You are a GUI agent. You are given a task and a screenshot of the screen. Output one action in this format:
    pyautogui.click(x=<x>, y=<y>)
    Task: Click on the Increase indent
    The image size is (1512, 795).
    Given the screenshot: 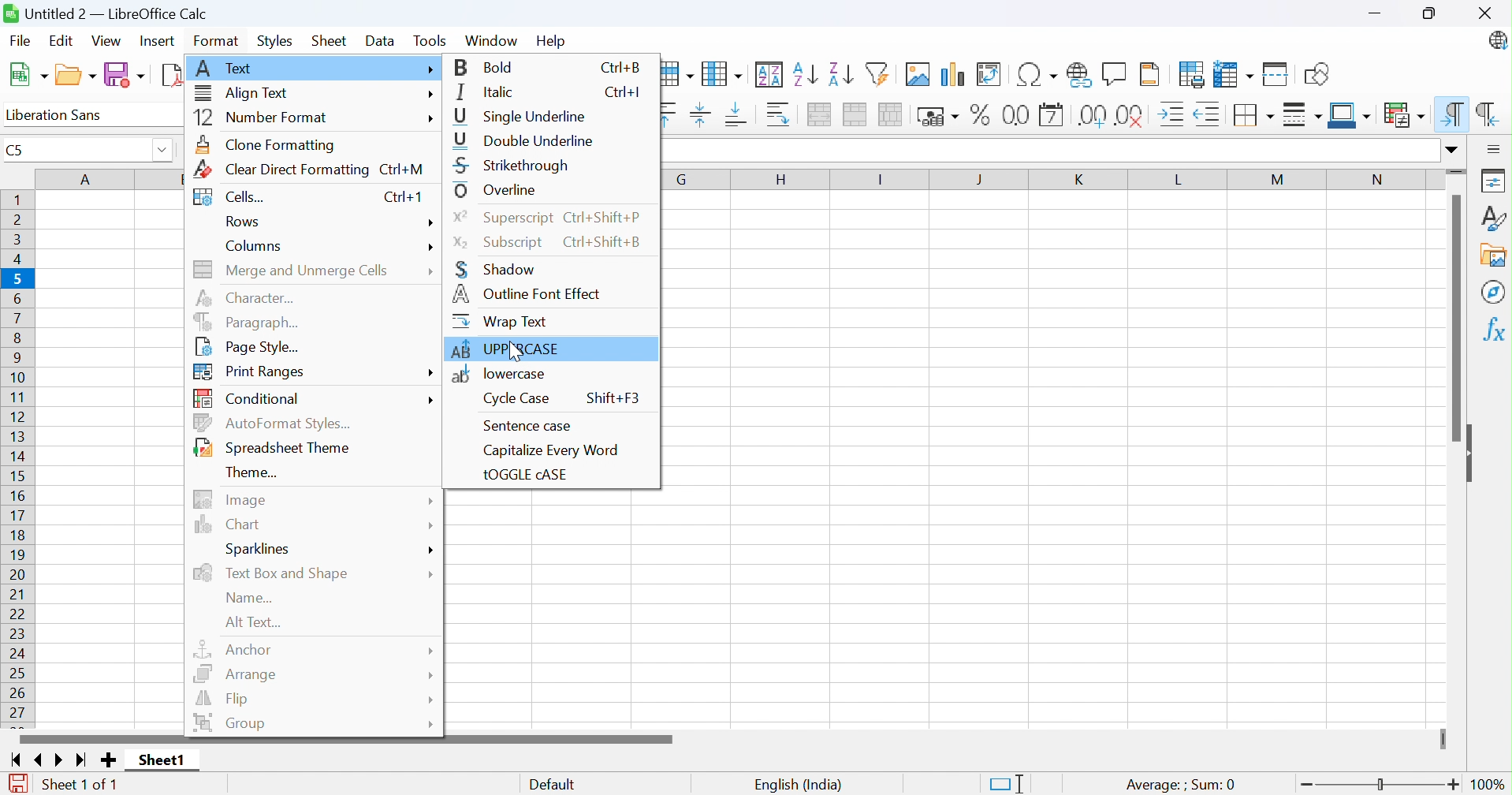 What is the action you would take?
    pyautogui.click(x=1169, y=113)
    